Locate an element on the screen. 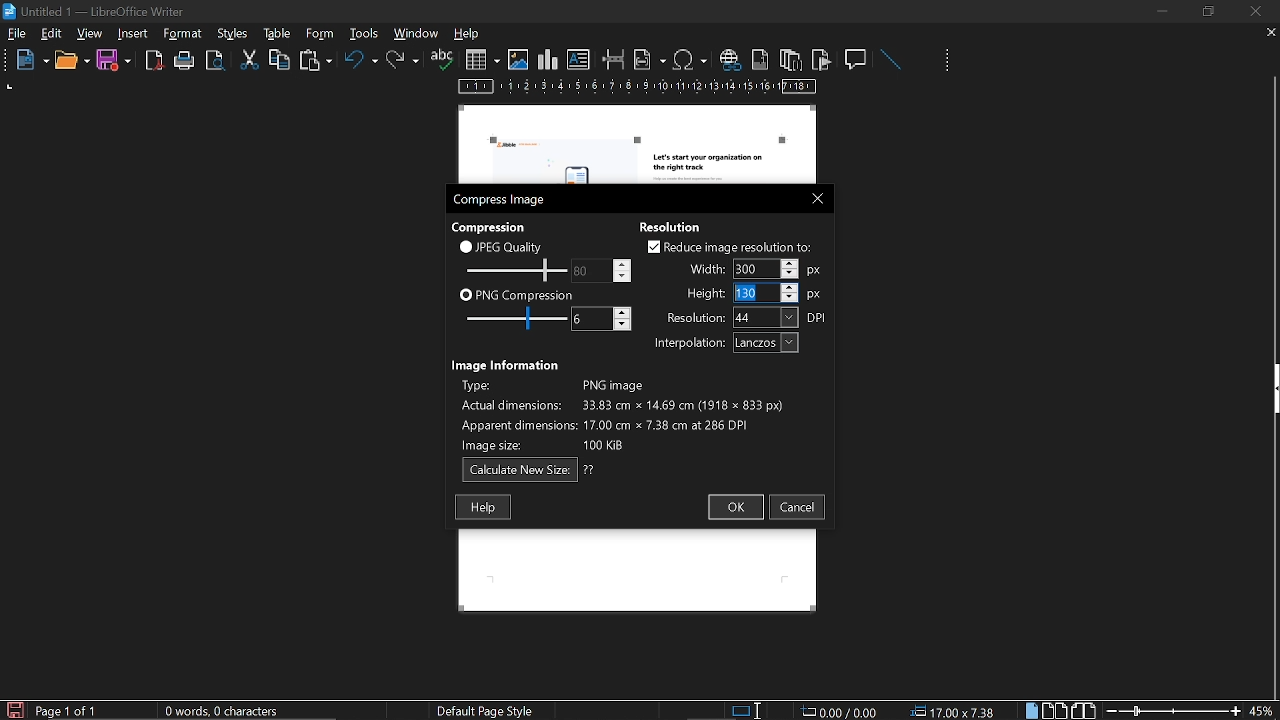 The width and height of the screenshot is (1280, 720). insert endnote is located at coordinates (790, 59).